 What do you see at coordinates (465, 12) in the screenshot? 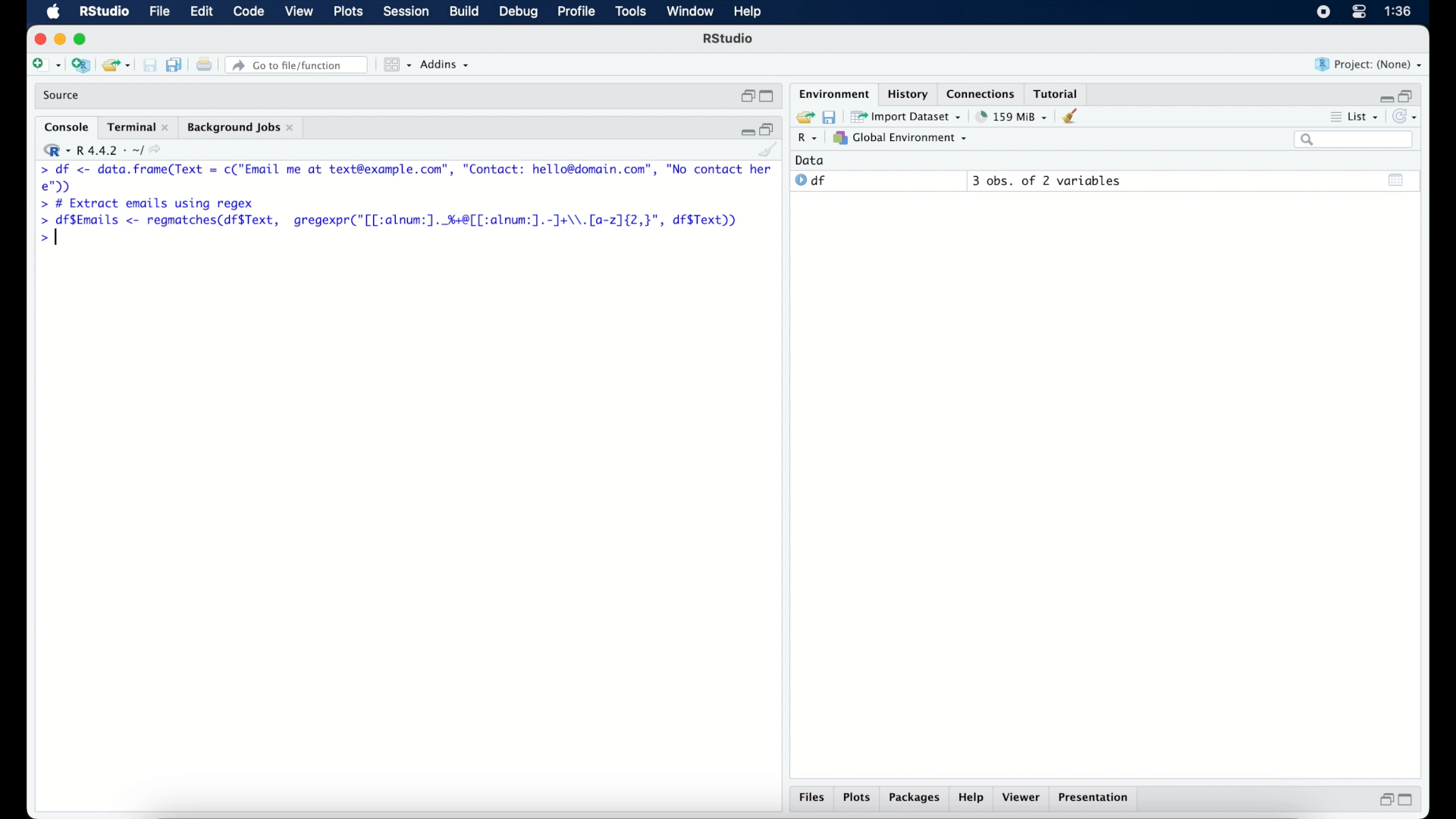
I see `build` at bounding box center [465, 12].